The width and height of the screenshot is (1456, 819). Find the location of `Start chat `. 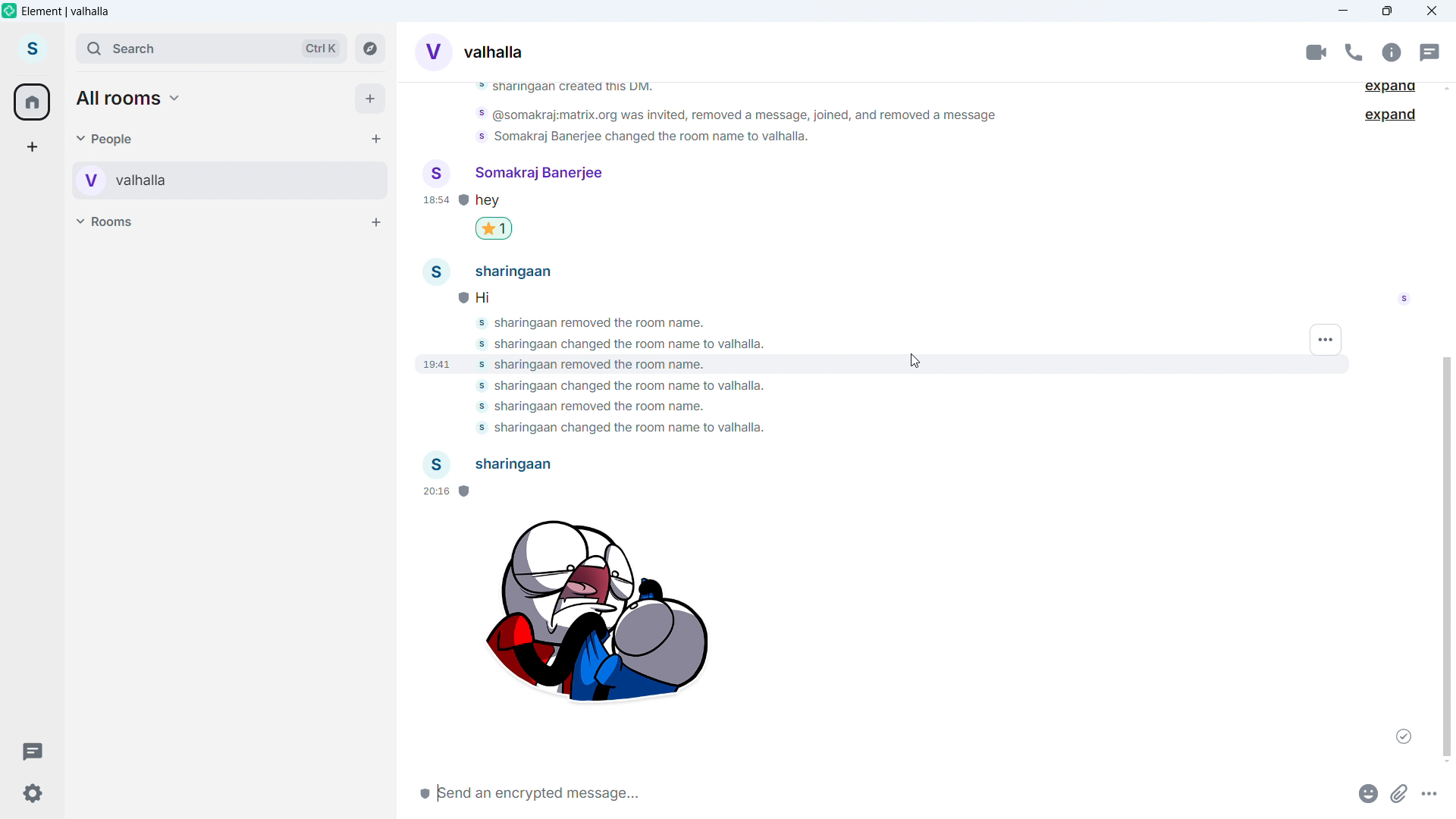

Start chat  is located at coordinates (374, 138).